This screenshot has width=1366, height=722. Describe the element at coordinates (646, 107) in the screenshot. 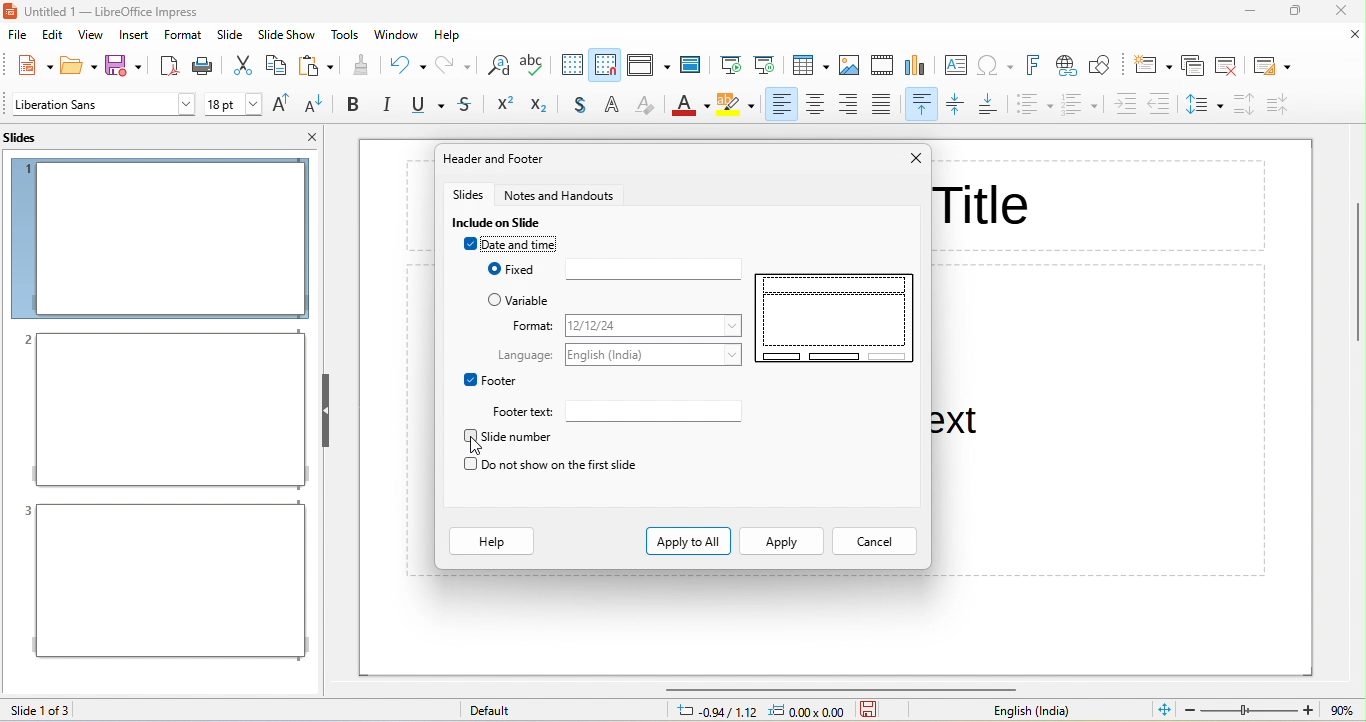

I see `clear direct formatting` at that location.